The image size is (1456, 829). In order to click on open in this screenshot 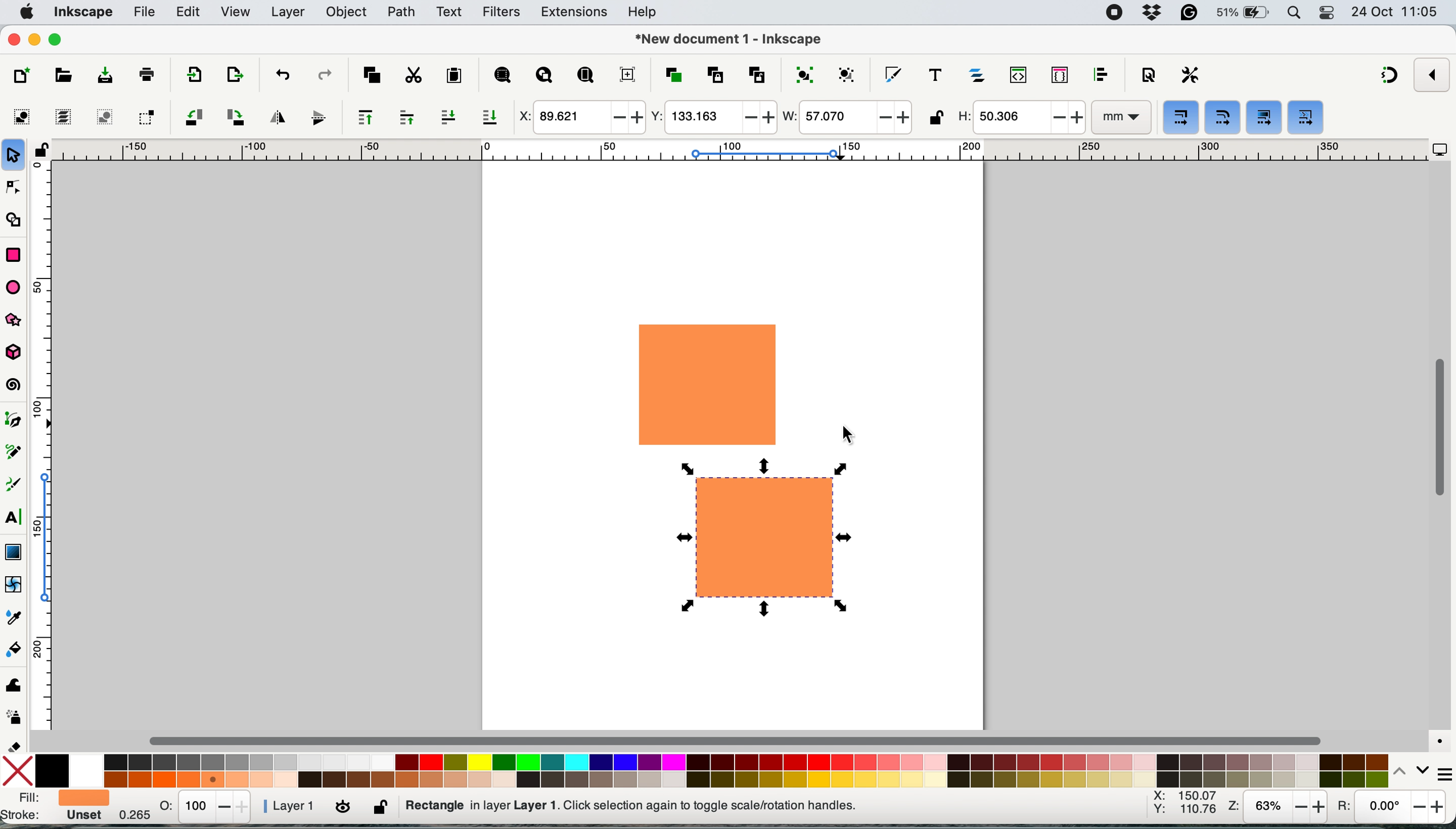, I will do `click(62, 77)`.